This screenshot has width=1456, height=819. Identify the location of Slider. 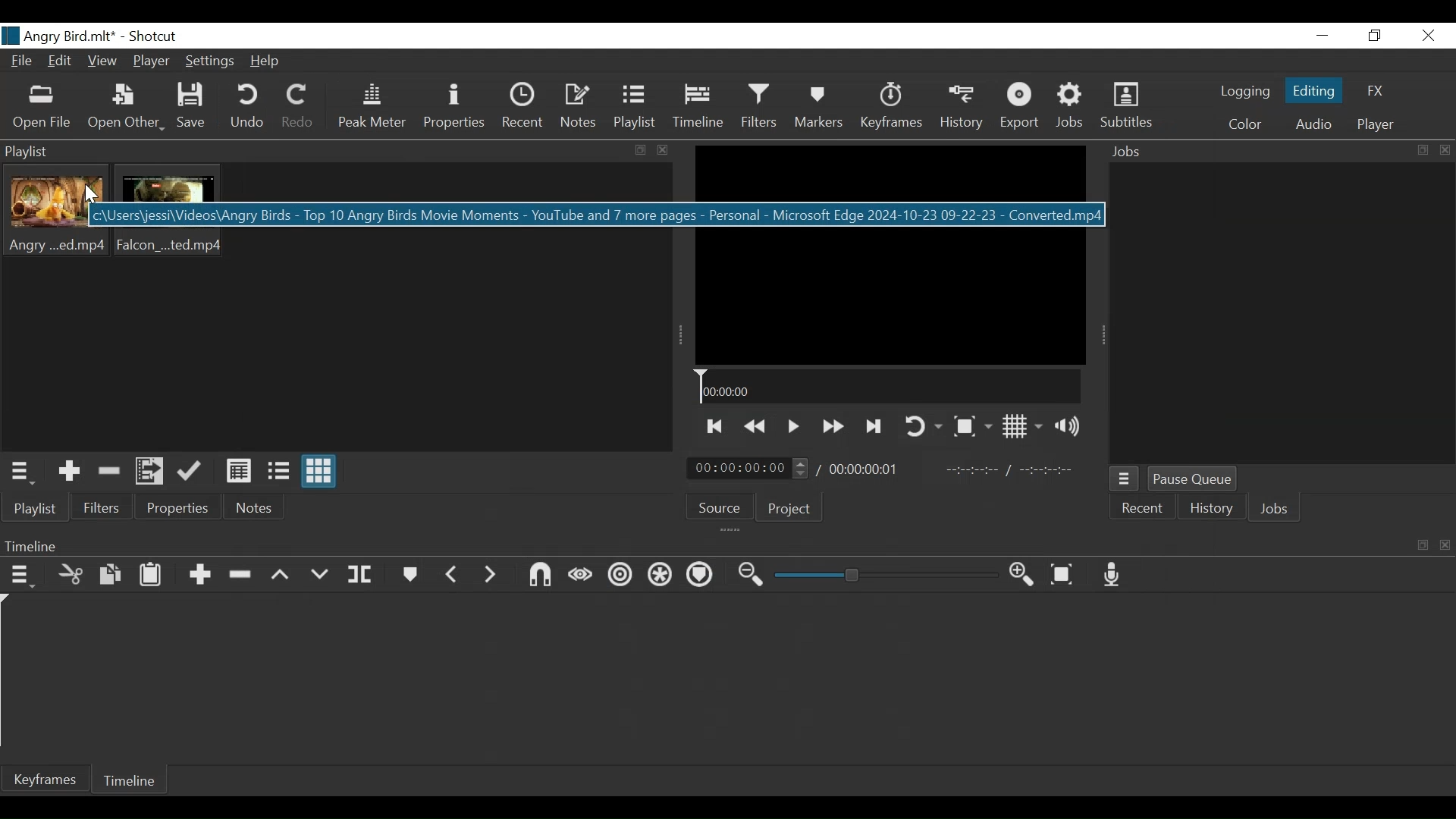
(886, 575).